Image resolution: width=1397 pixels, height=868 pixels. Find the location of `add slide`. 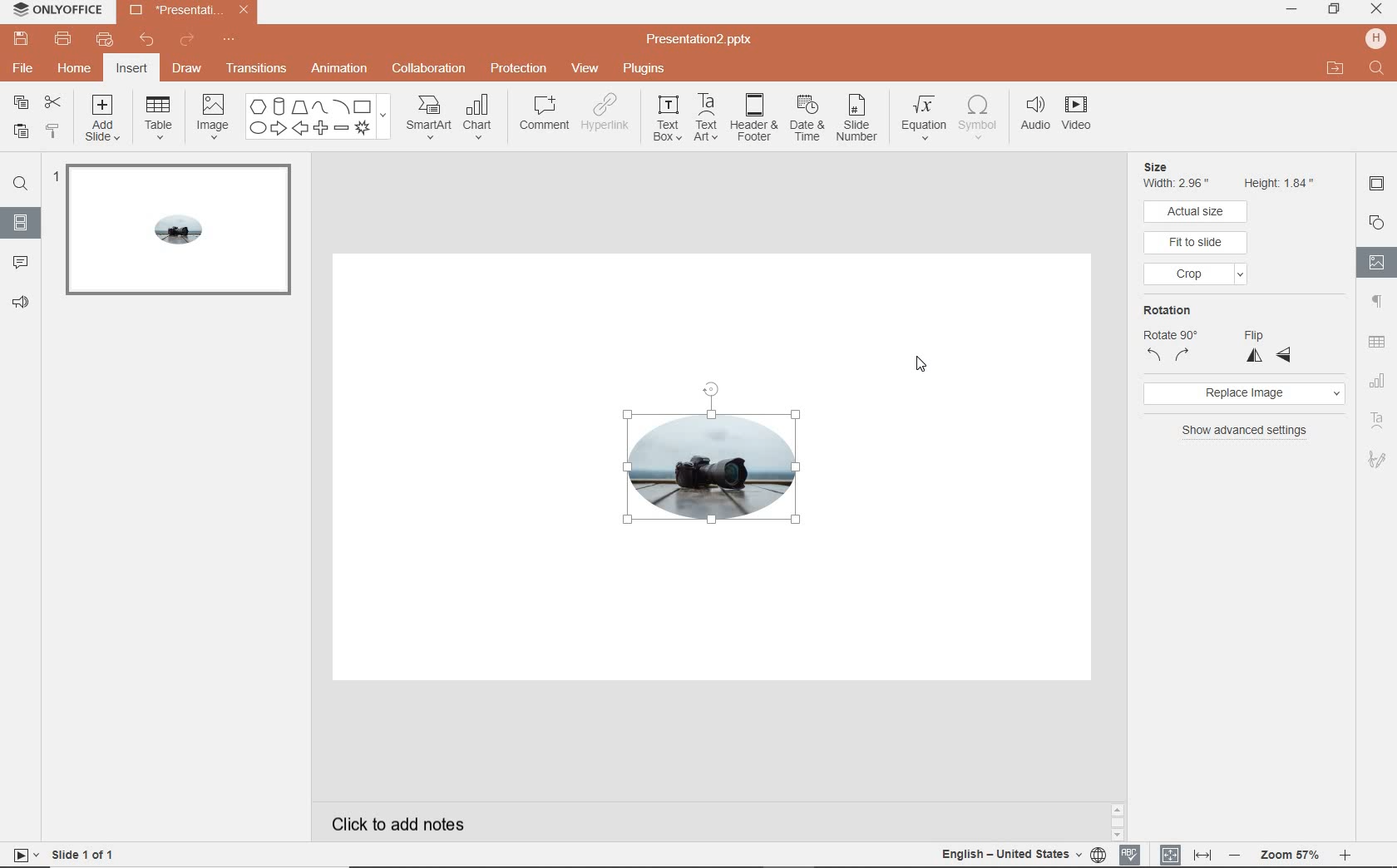

add slide is located at coordinates (104, 118).